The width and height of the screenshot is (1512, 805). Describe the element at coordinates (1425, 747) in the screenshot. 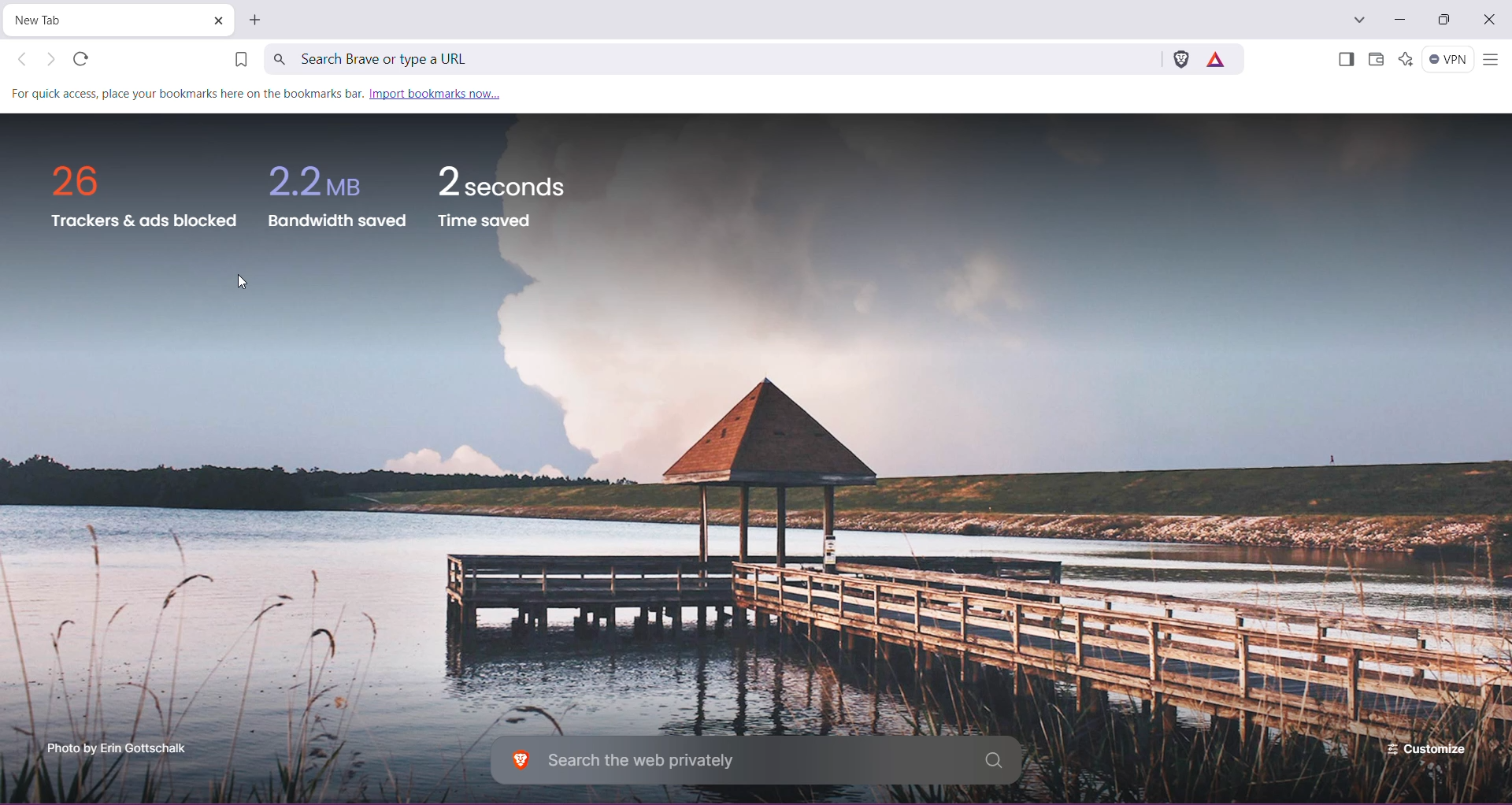

I see `Customize` at that location.